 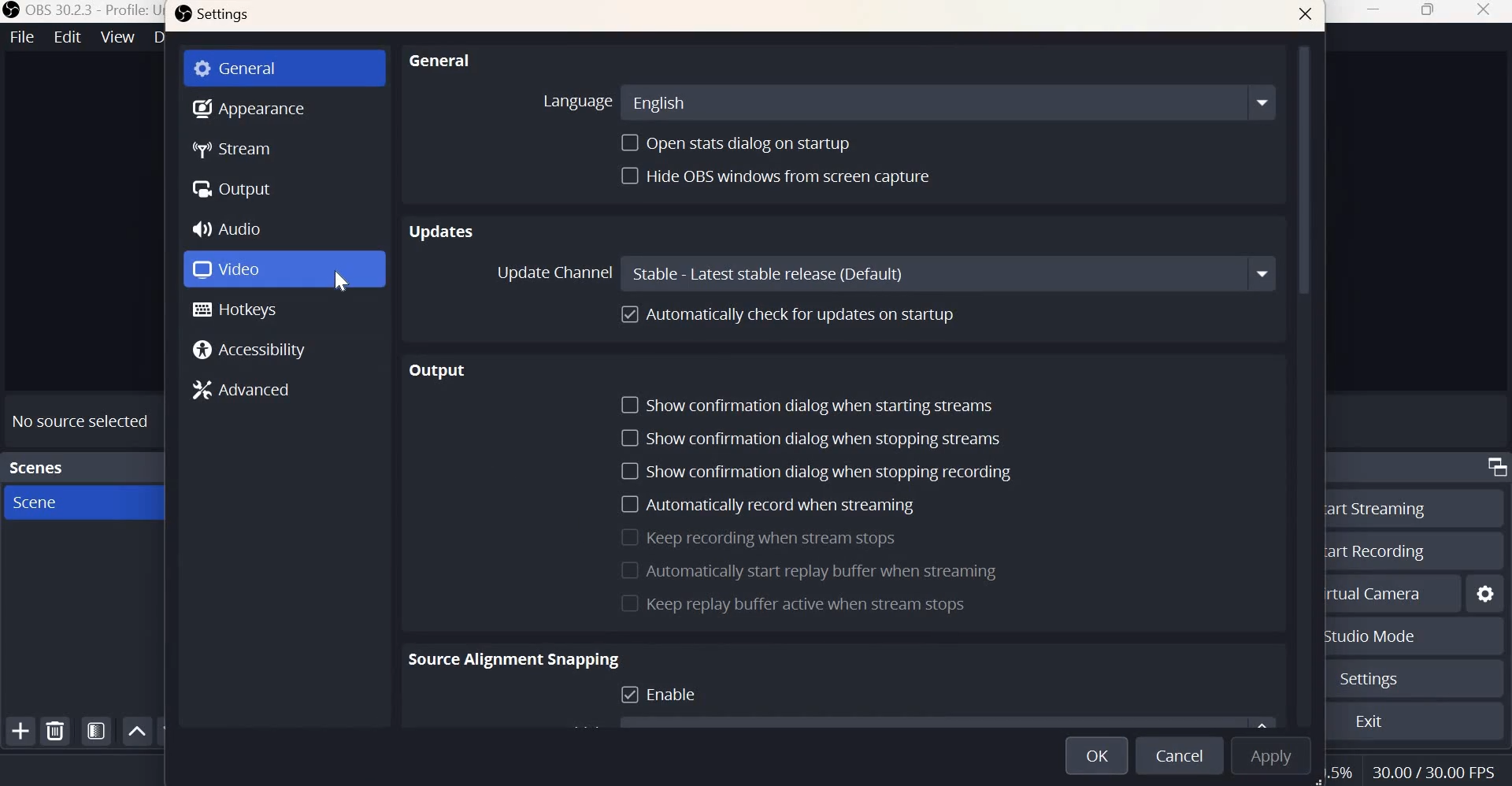 What do you see at coordinates (285, 67) in the screenshot?
I see `General` at bounding box center [285, 67].